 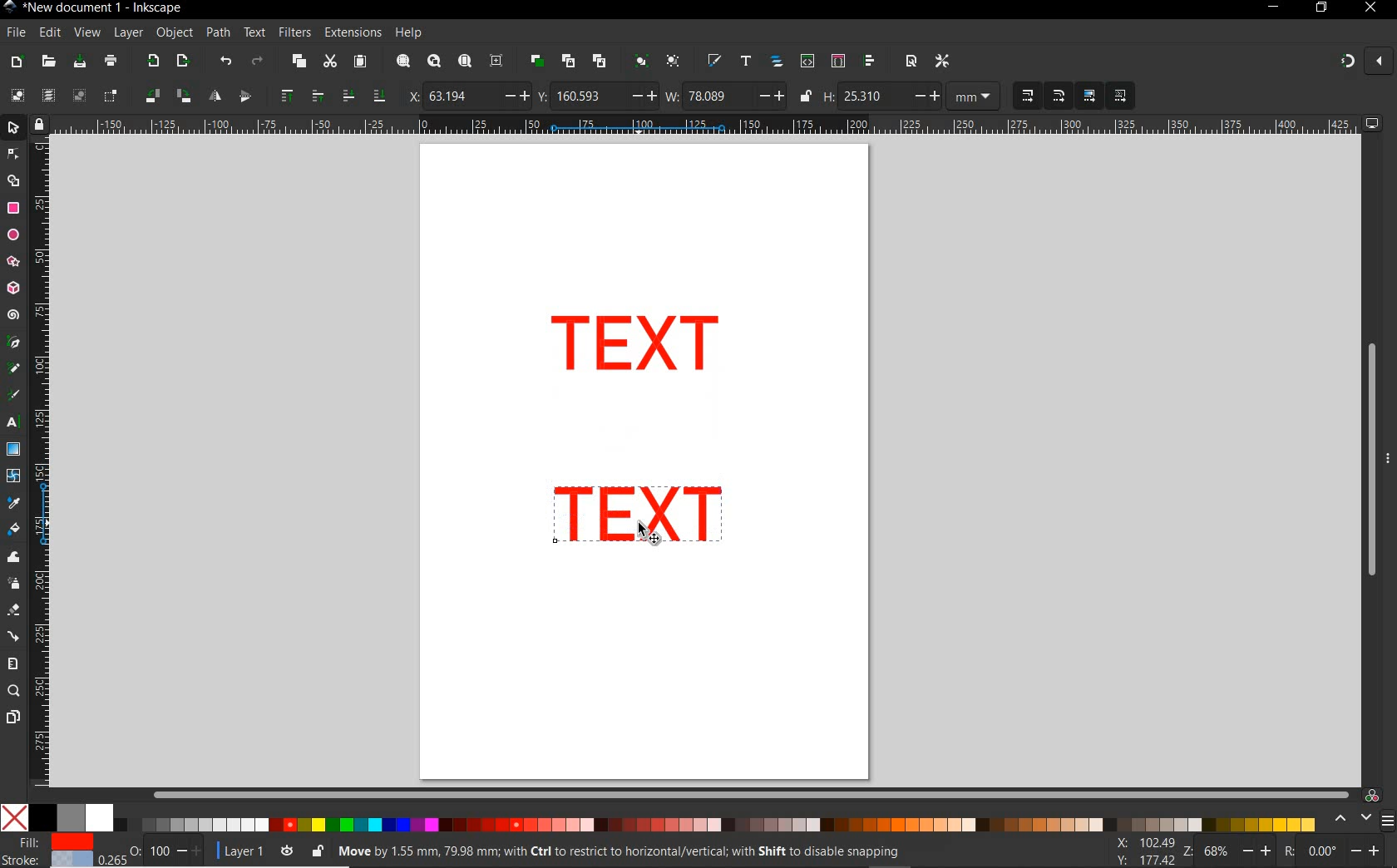 I want to click on spiral tool, so click(x=13, y=317).